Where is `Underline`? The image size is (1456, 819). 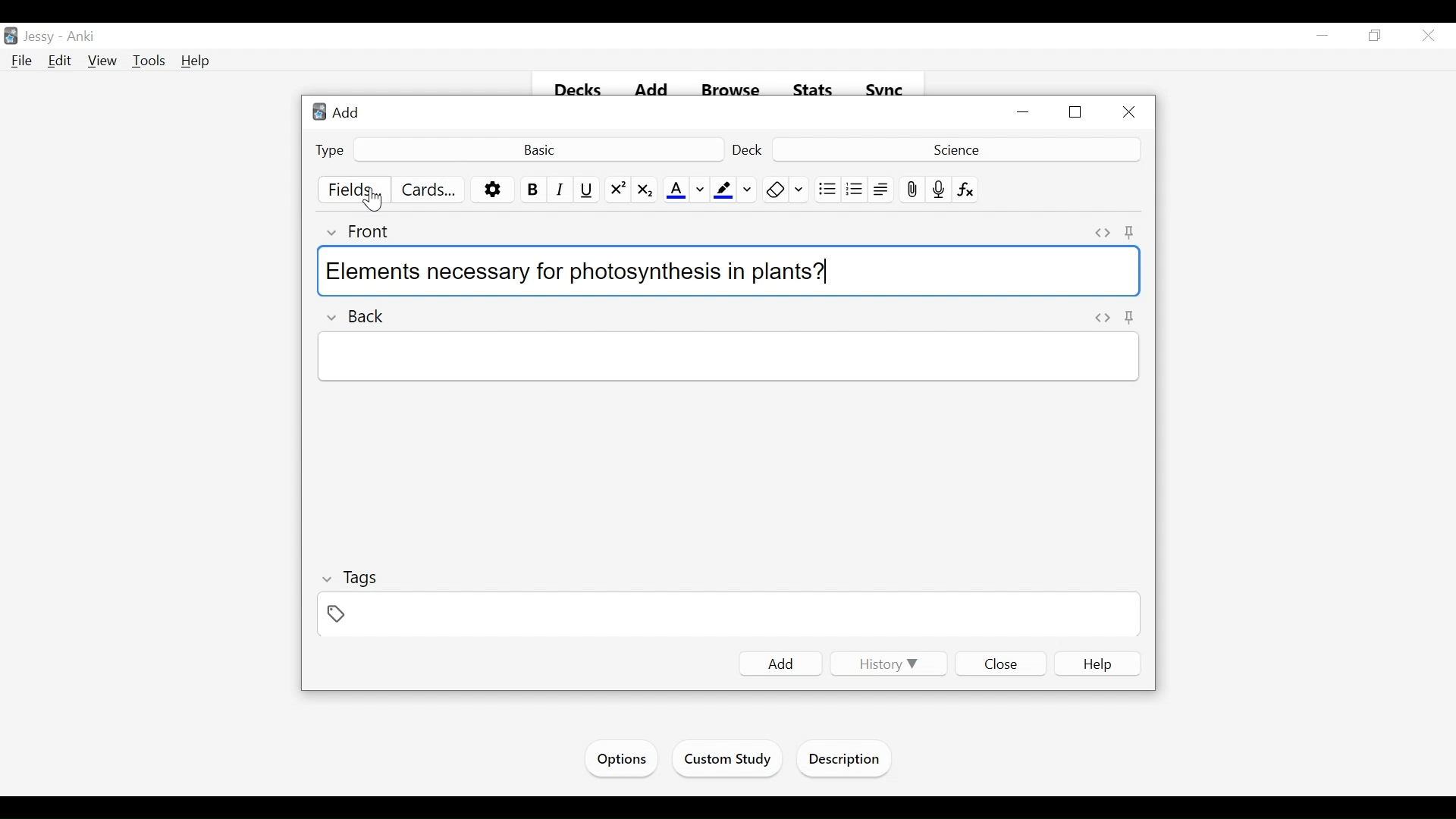
Underline is located at coordinates (588, 190).